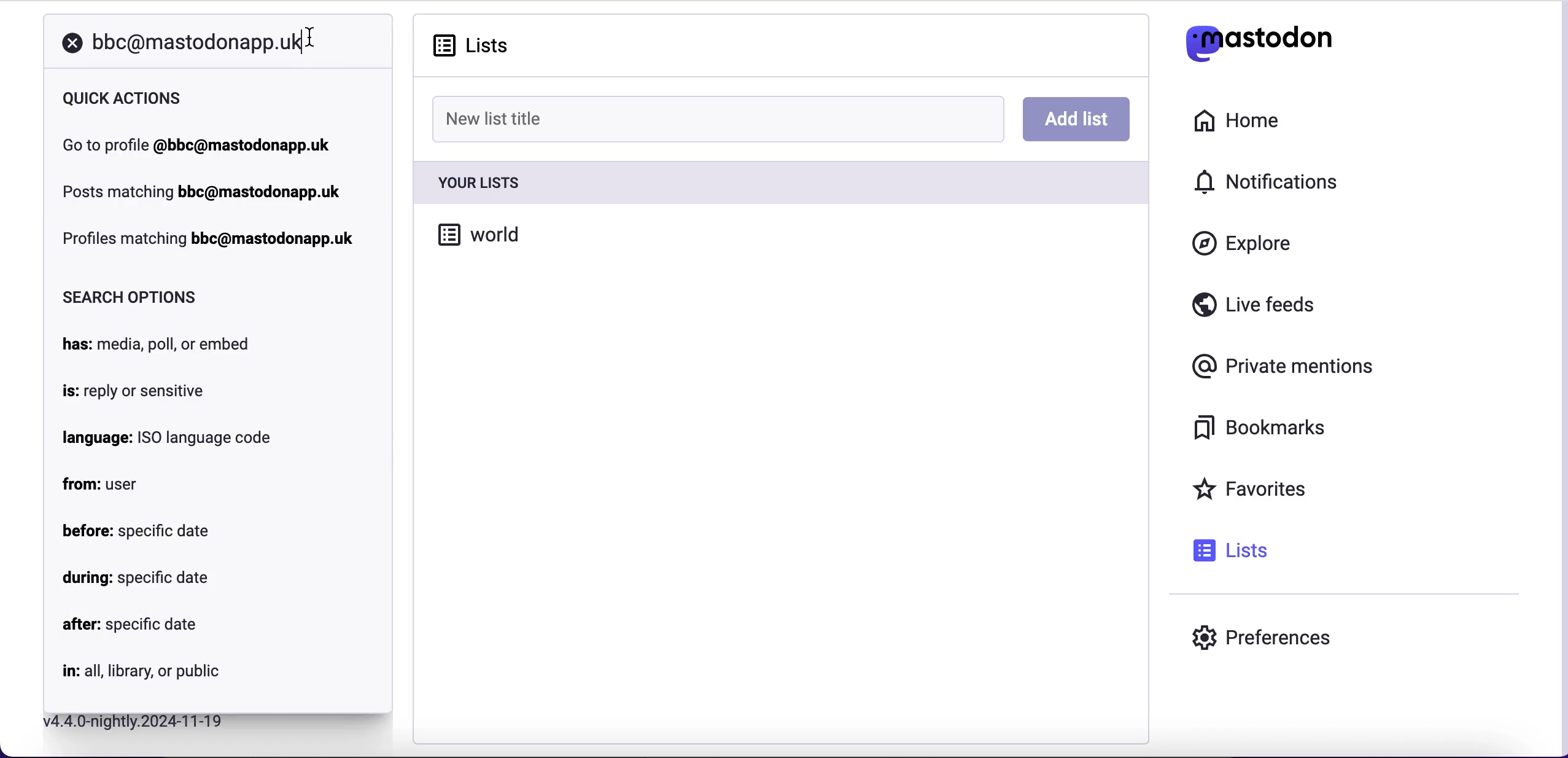  I want to click on scroll bar, so click(1561, 375).